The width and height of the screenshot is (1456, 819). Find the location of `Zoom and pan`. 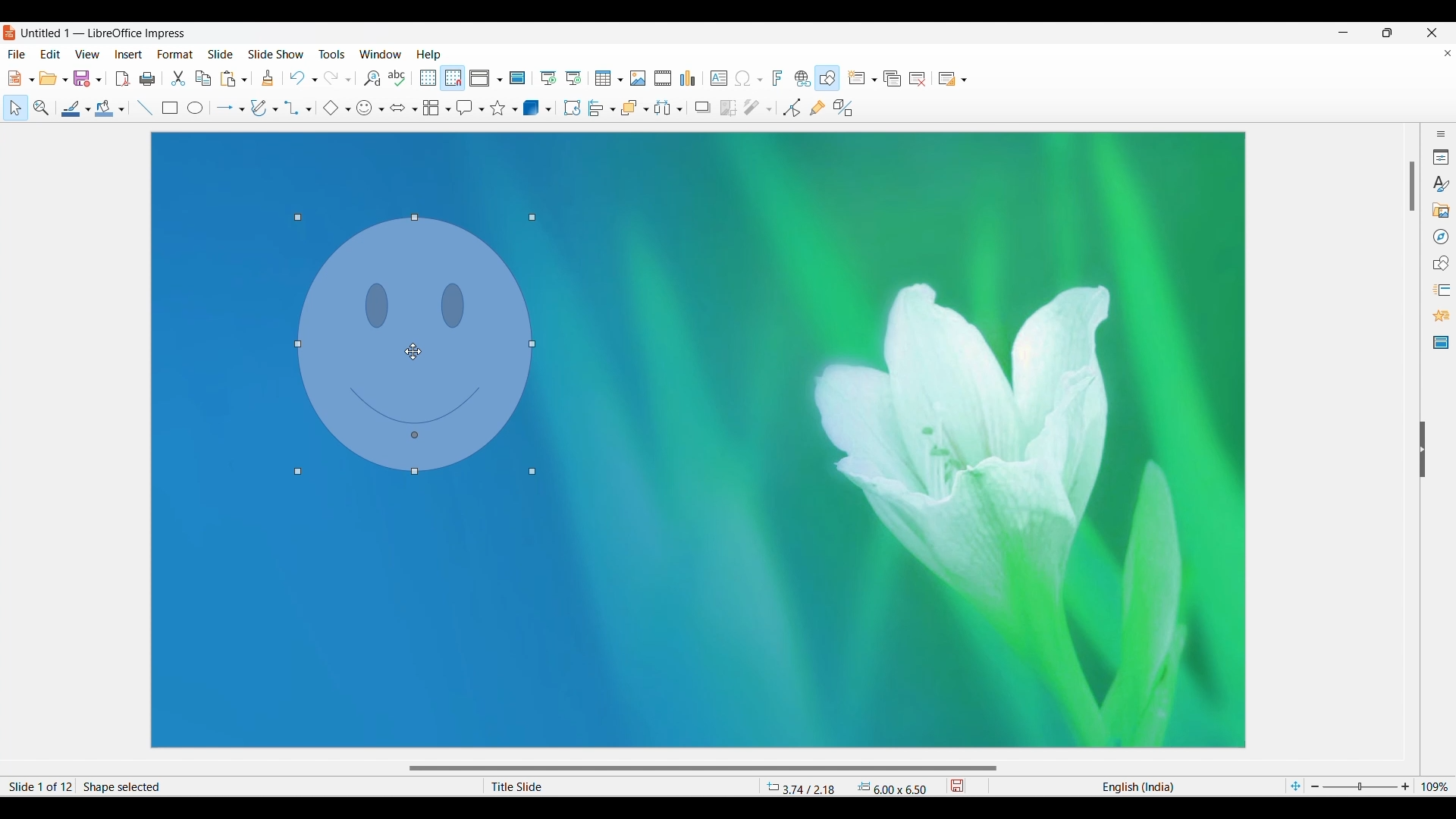

Zoom and pan is located at coordinates (42, 108).